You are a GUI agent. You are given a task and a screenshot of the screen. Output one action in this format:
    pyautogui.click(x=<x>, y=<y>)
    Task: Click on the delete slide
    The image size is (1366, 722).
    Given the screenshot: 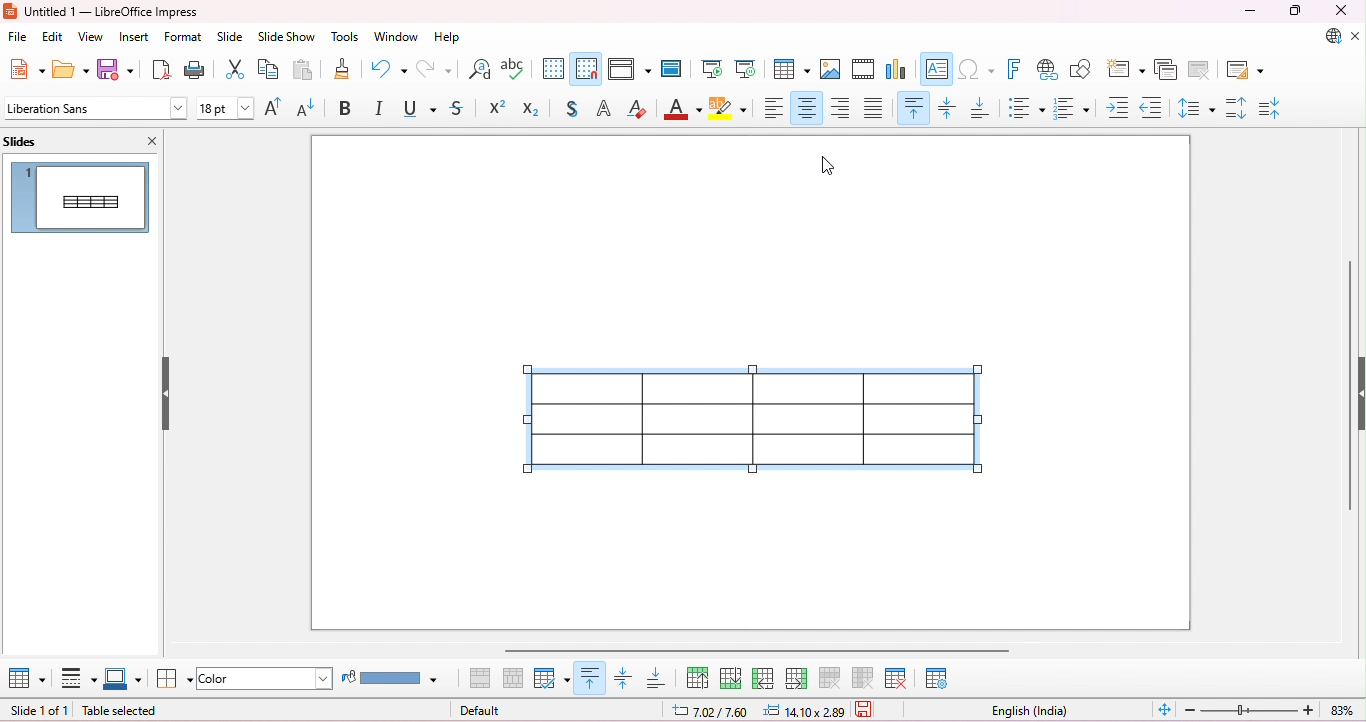 What is the action you would take?
    pyautogui.click(x=1202, y=70)
    